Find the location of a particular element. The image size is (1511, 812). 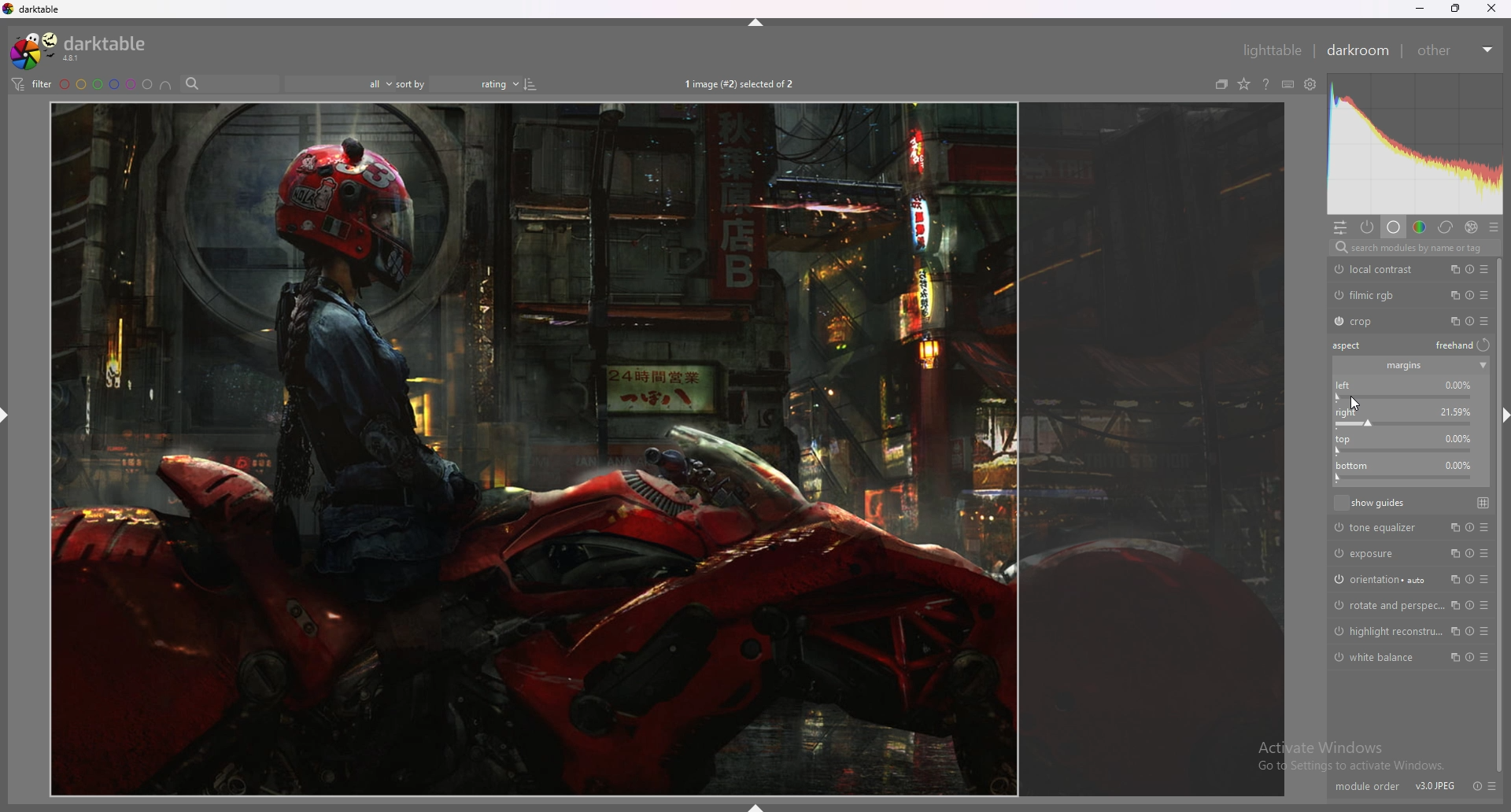

filmic rgb is located at coordinates (1379, 295).